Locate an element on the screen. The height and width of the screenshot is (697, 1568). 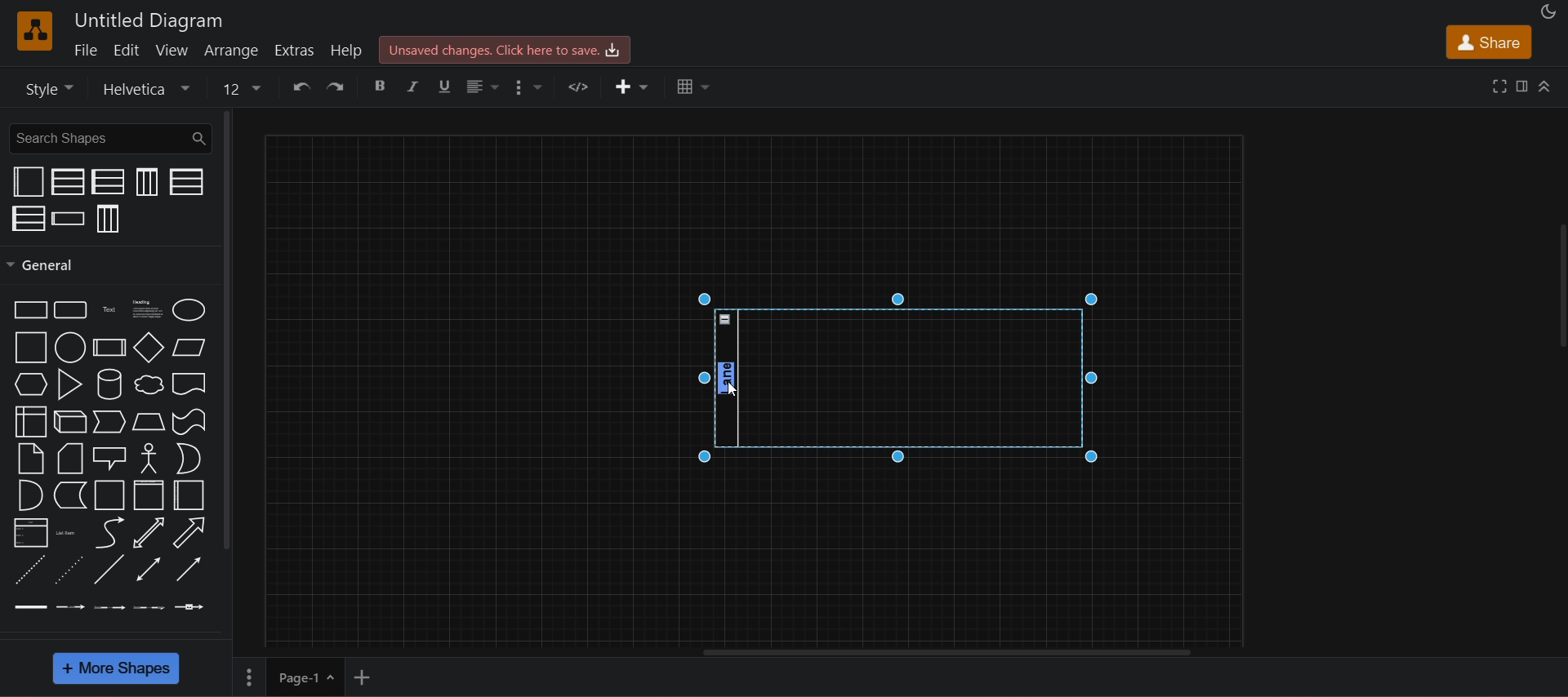
help is located at coordinates (351, 52).